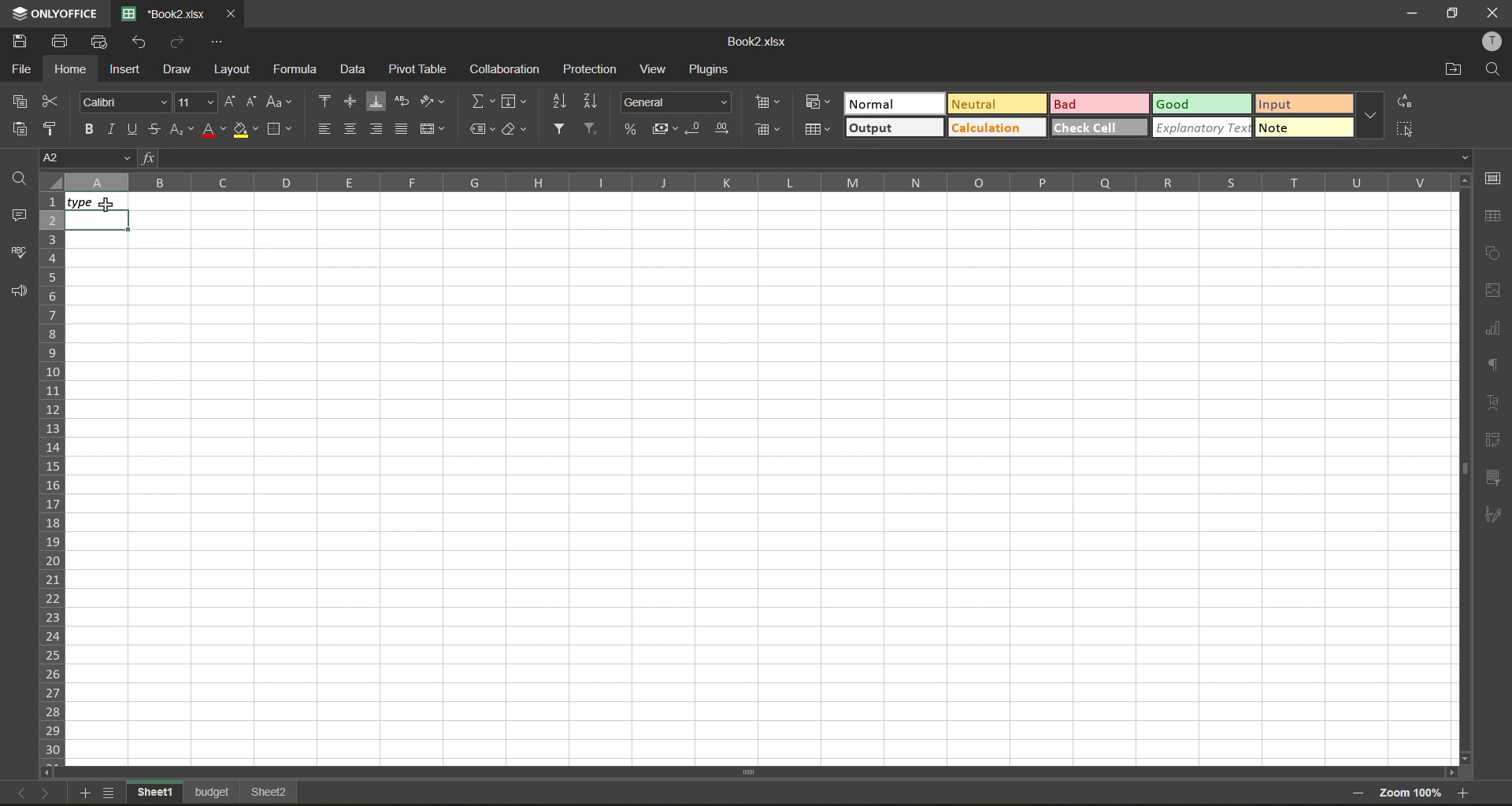 This screenshot has height=806, width=1512. Describe the element at coordinates (819, 131) in the screenshot. I see `format as table` at that location.